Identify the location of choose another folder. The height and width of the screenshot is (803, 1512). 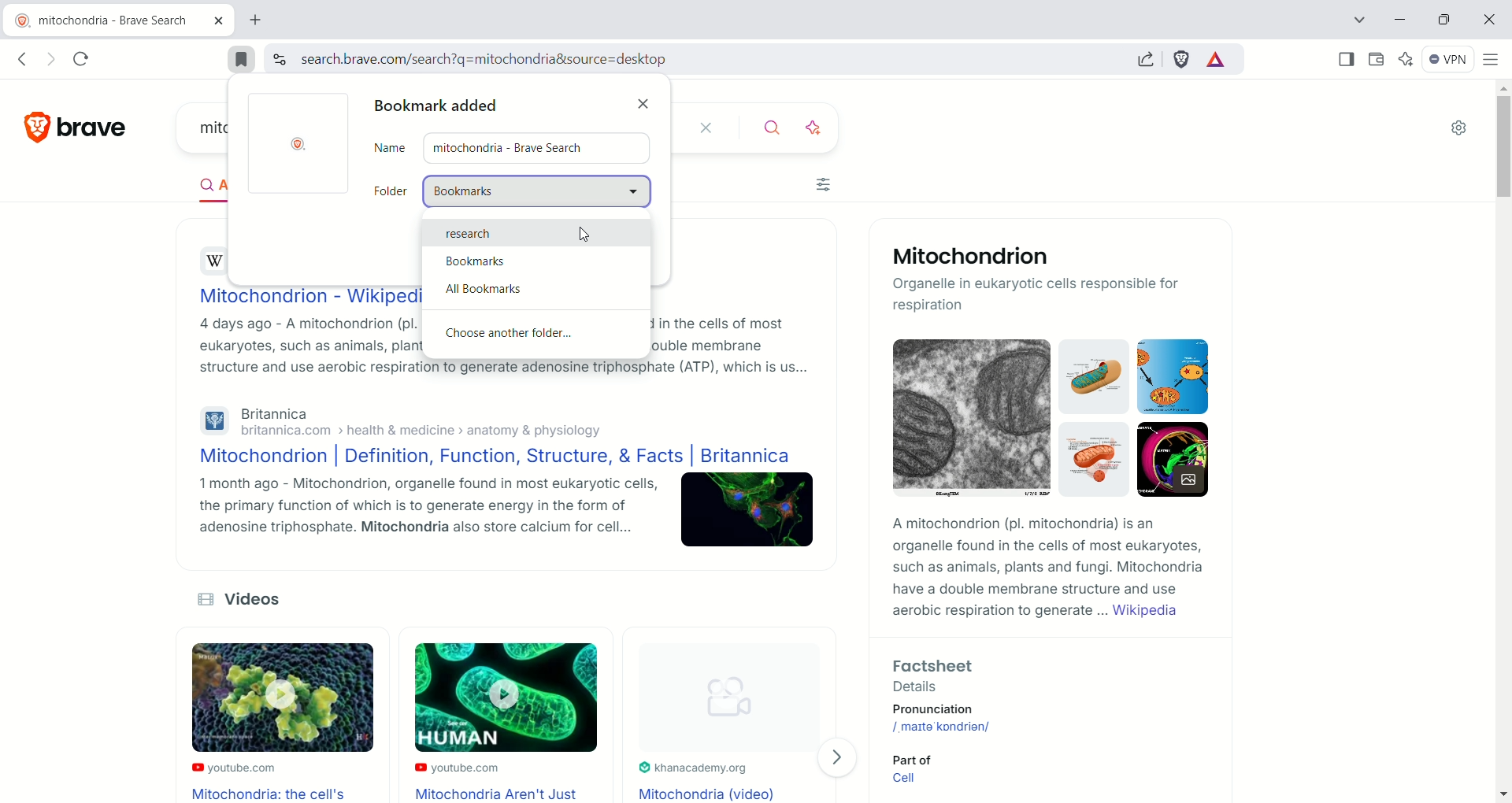
(537, 337).